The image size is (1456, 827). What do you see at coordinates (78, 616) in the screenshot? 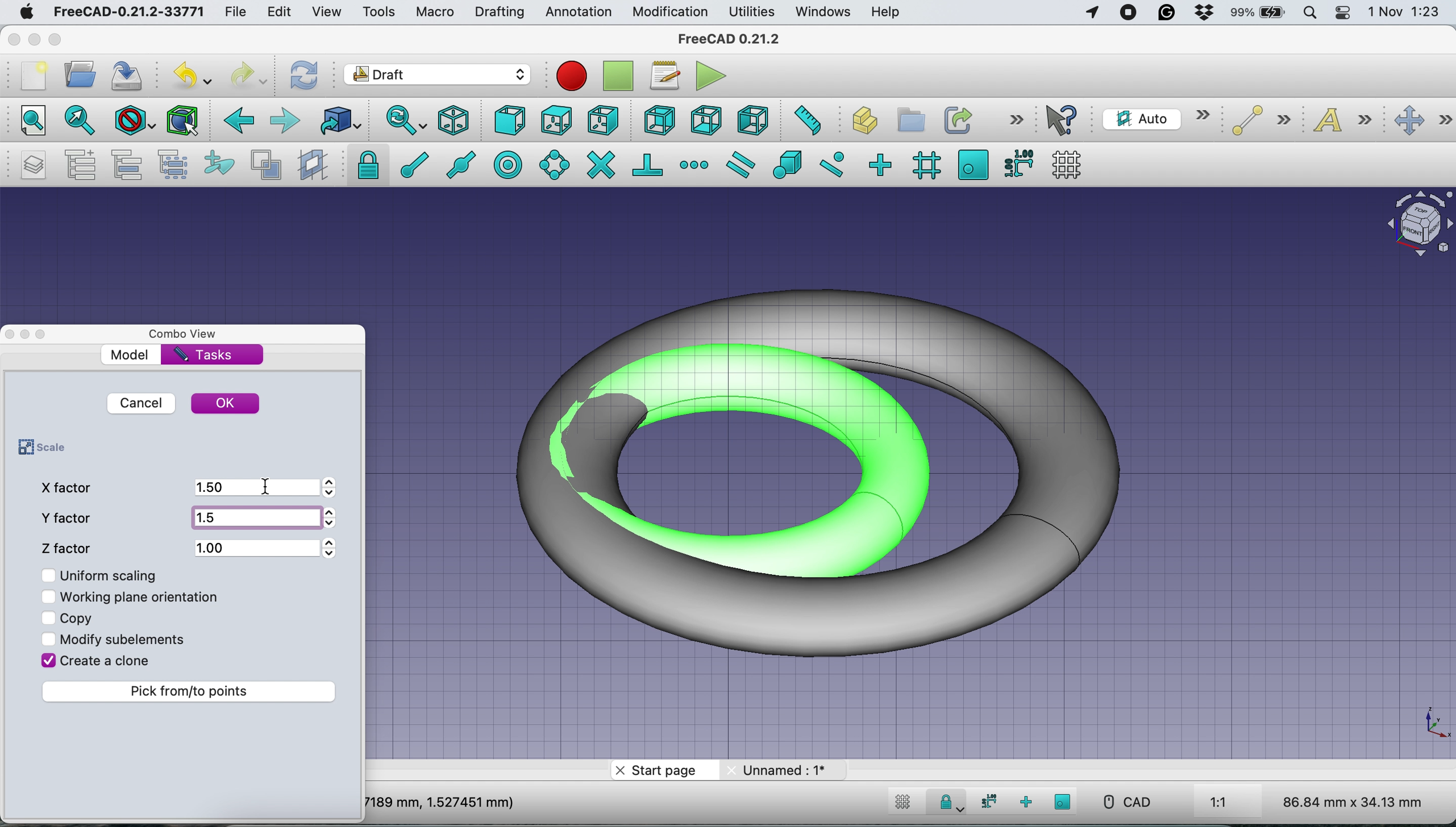
I see `copy` at bounding box center [78, 616].